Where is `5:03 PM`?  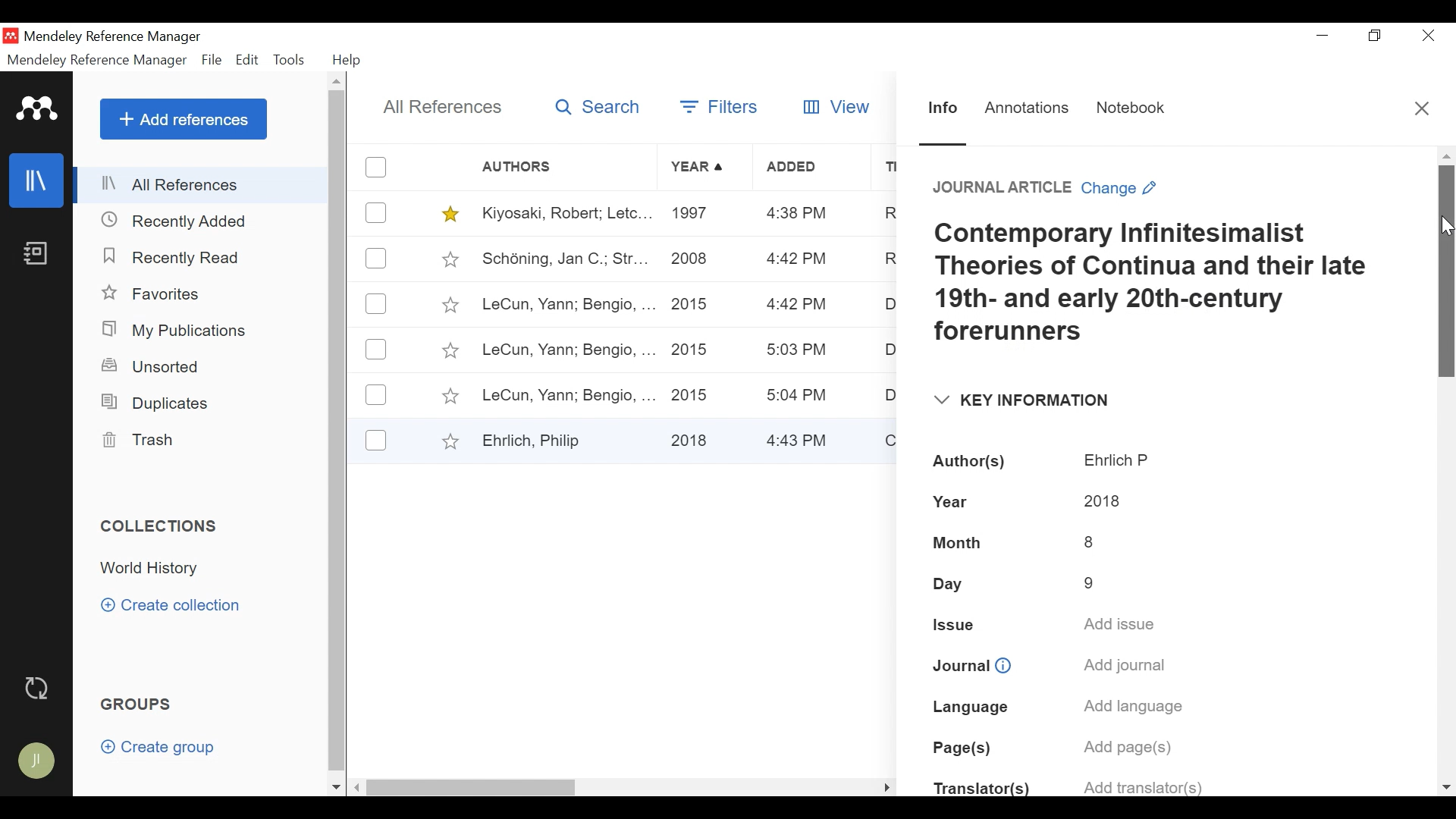 5:03 PM is located at coordinates (799, 352).